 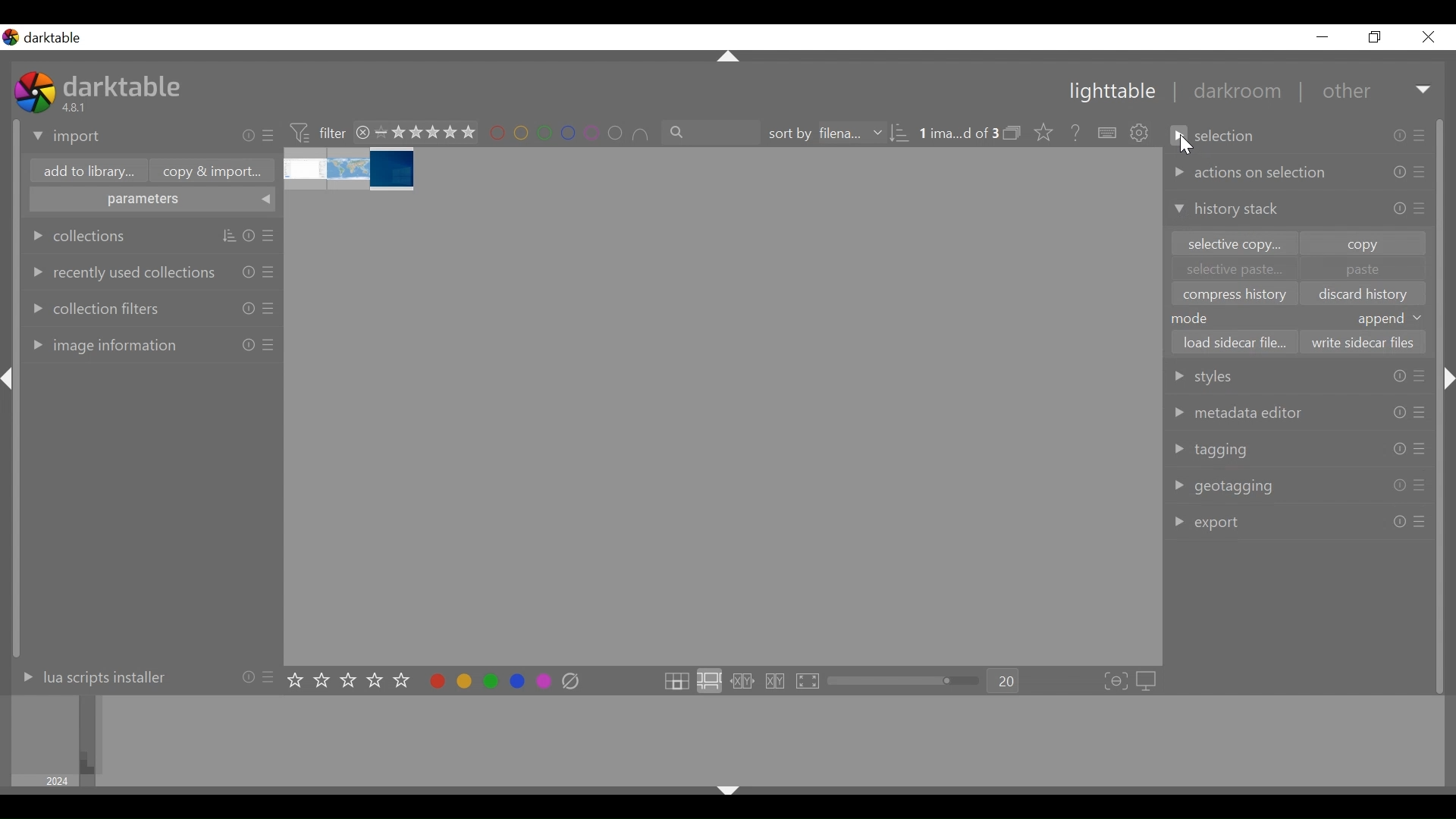 I want to click on info, so click(x=1399, y=485).